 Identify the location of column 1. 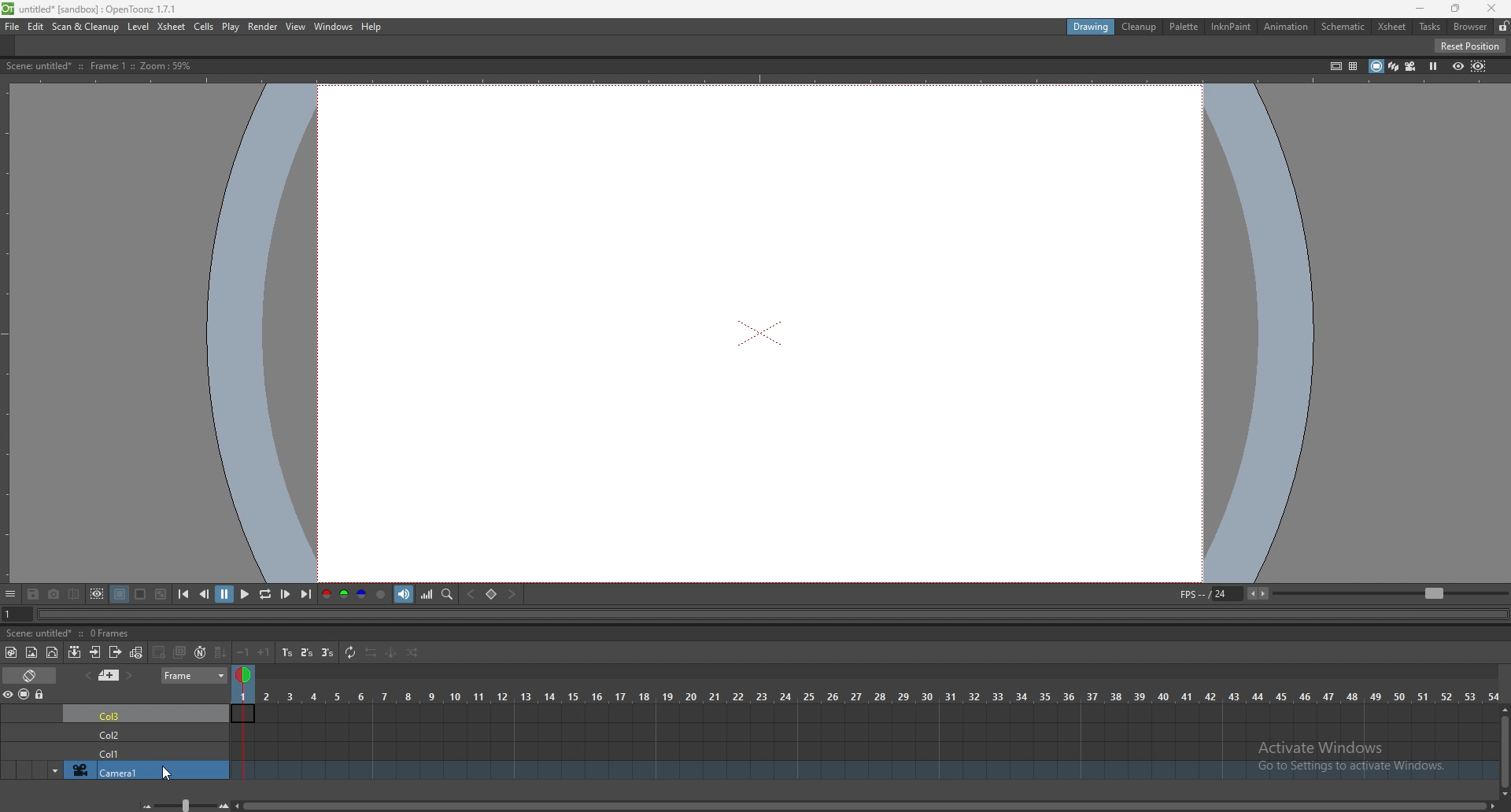
(144, 752).